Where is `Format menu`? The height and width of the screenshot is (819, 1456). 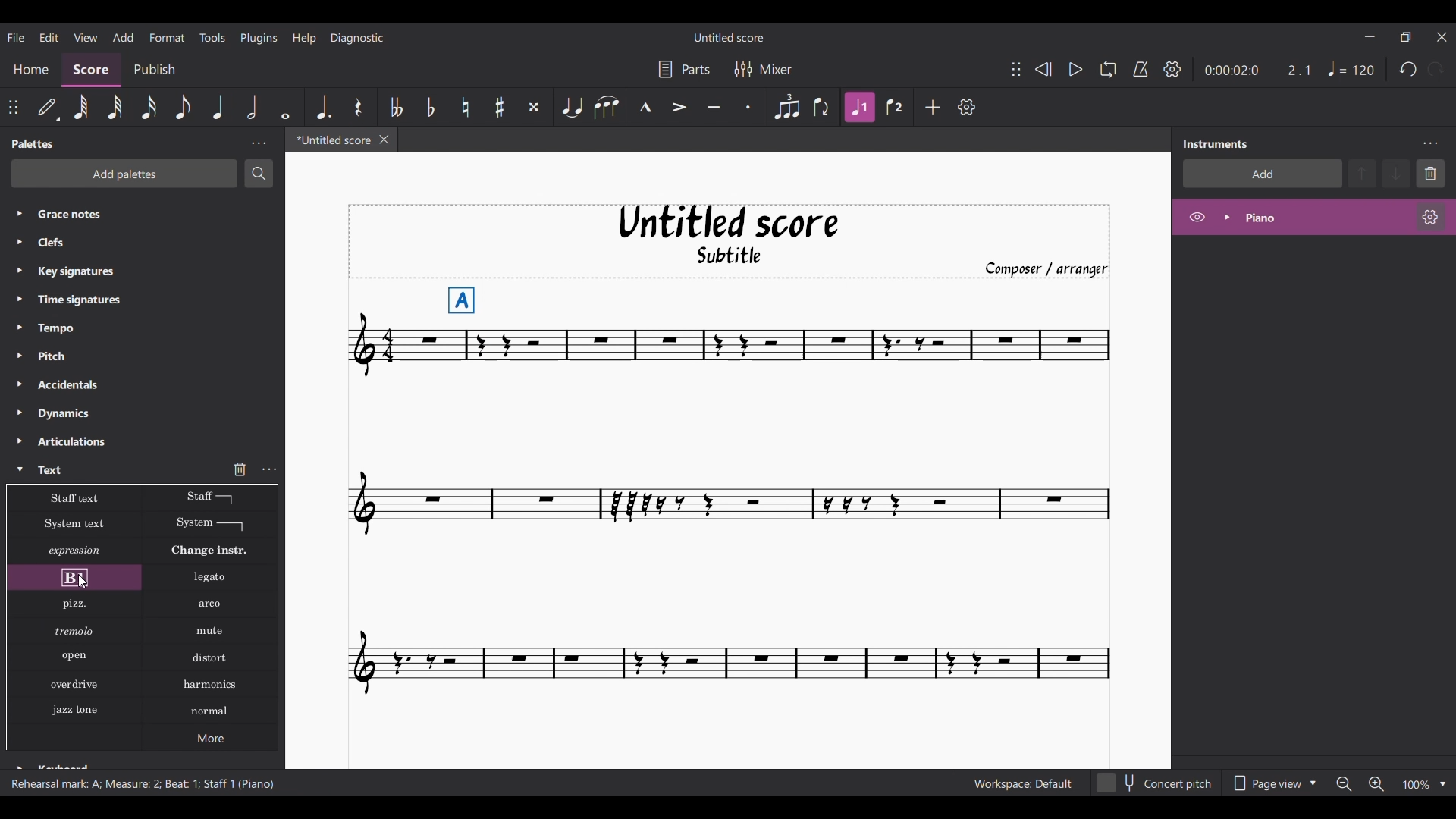
Format menu is located at coordinates (166, 36).